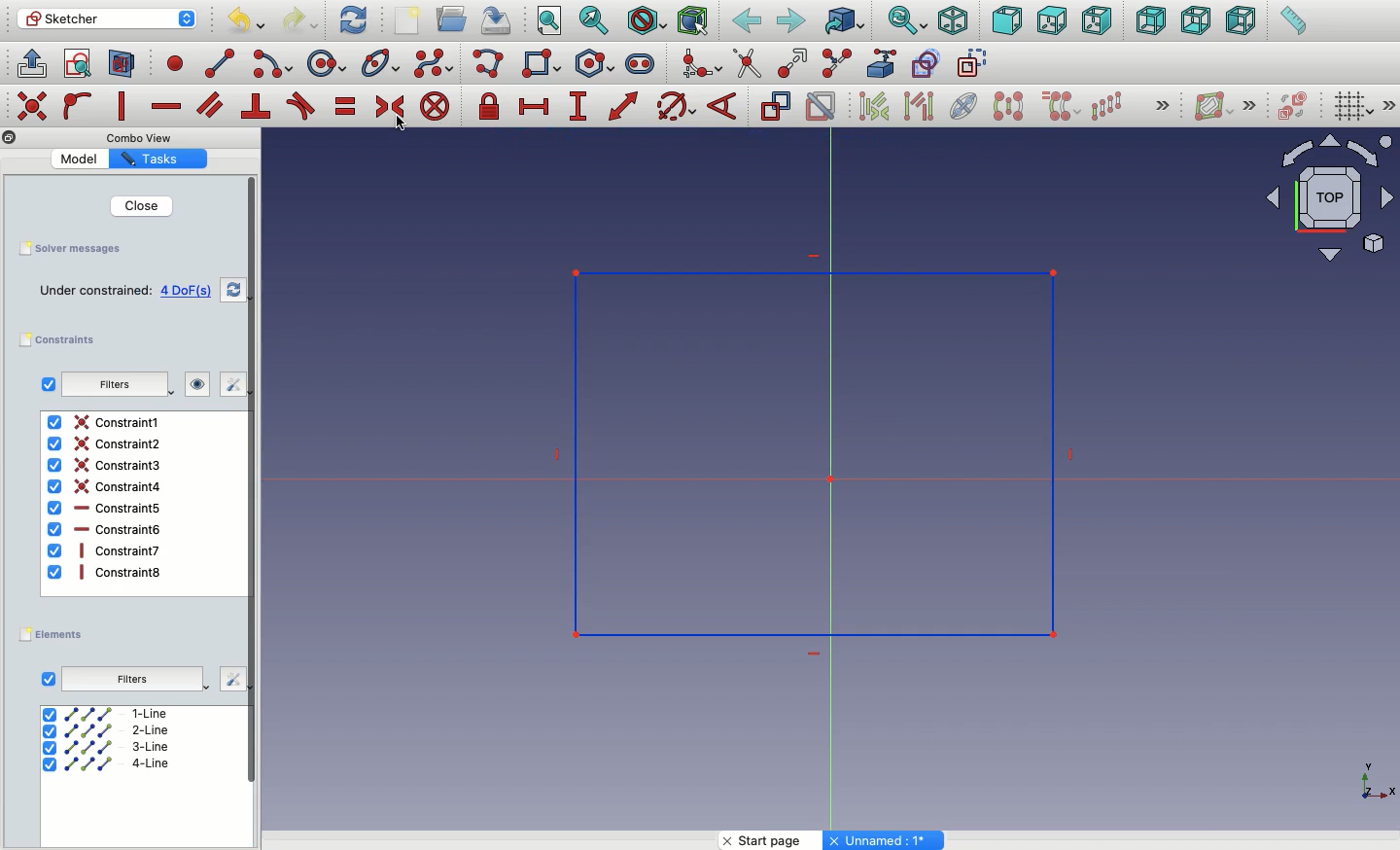 The image size is (1400, 850). What do you see at coordinates (105, 529) in the screenshot?
I see `Constraint6` at bounding box center [105, 529].